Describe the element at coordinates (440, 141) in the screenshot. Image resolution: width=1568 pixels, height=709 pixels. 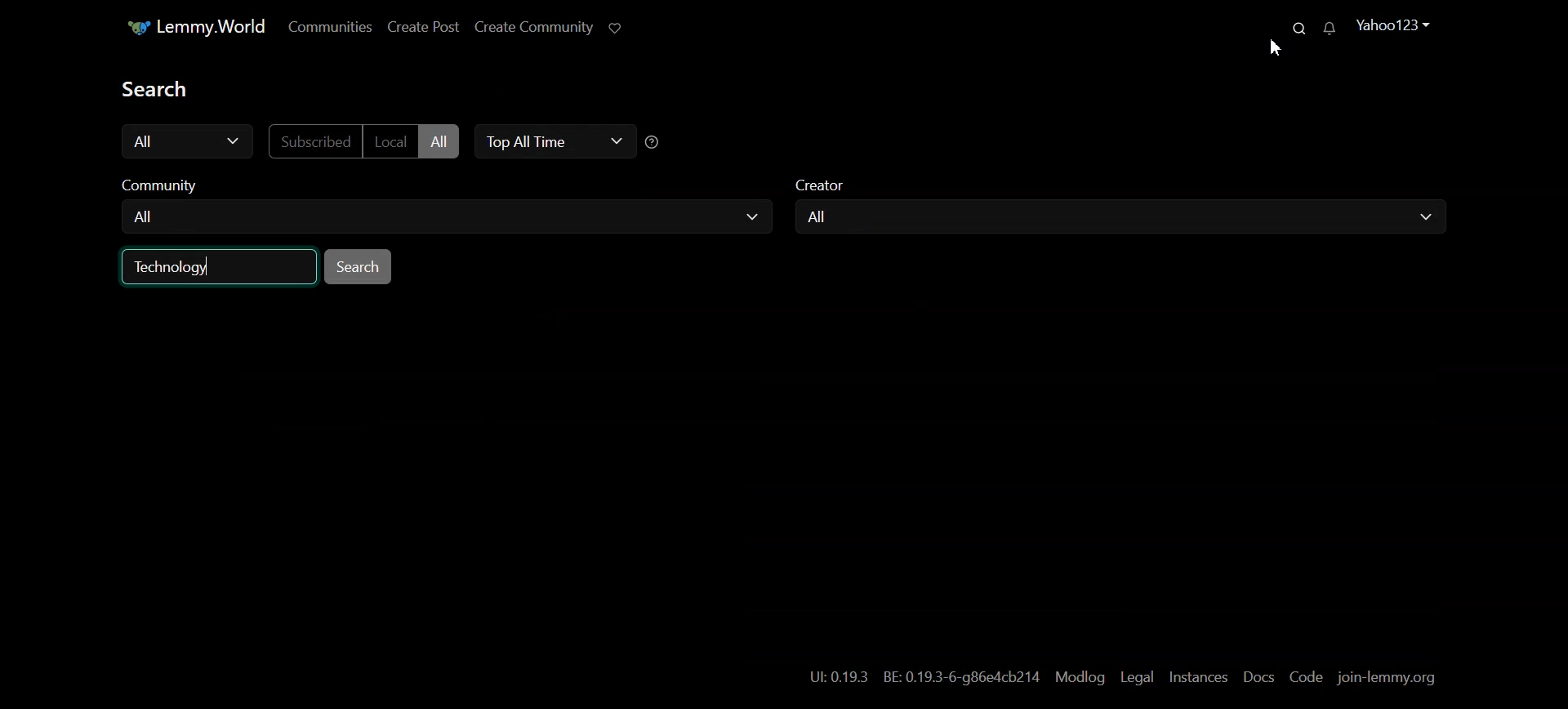
I see `All` at that location.